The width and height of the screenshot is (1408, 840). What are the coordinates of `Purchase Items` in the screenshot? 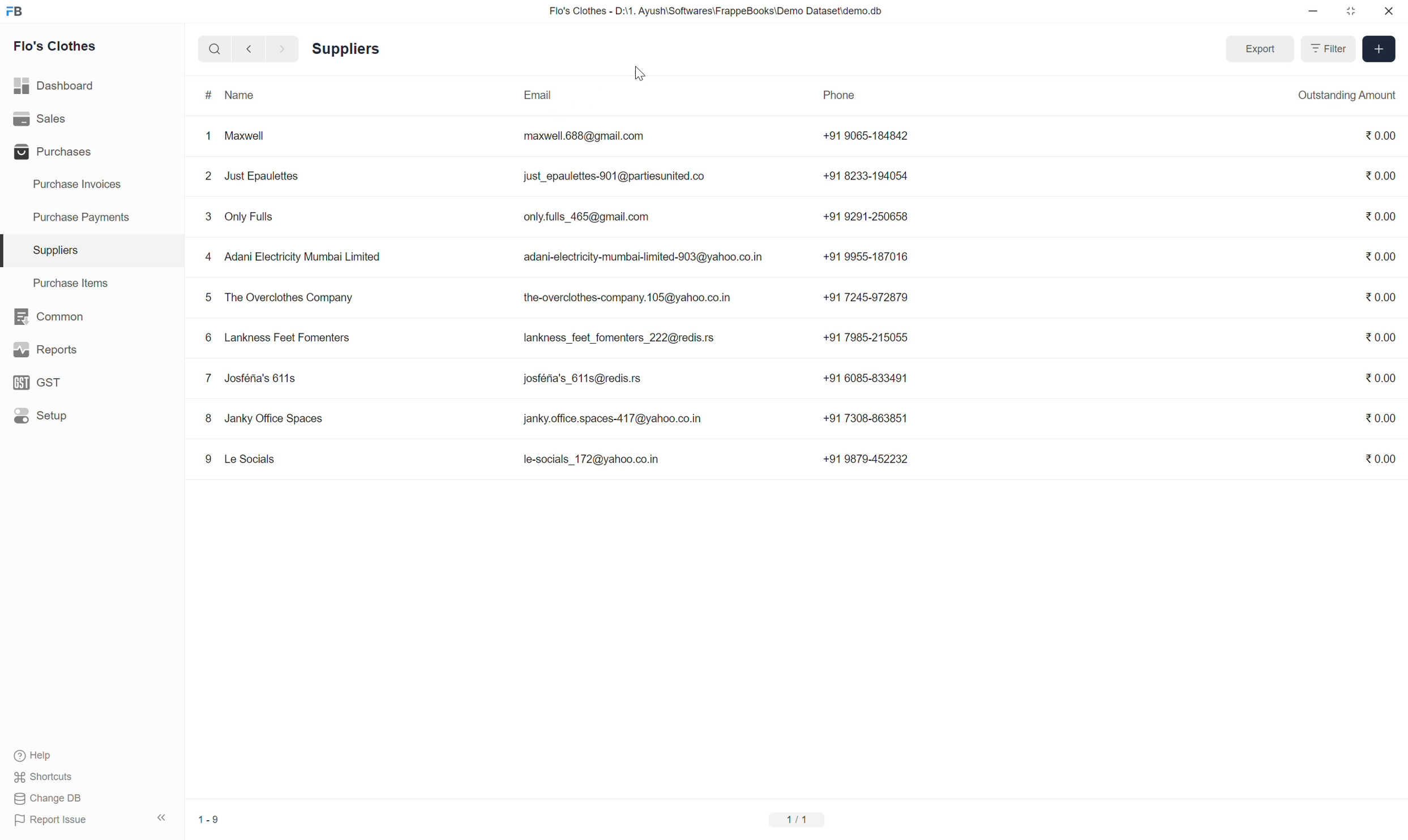 It's located at (74, 283).